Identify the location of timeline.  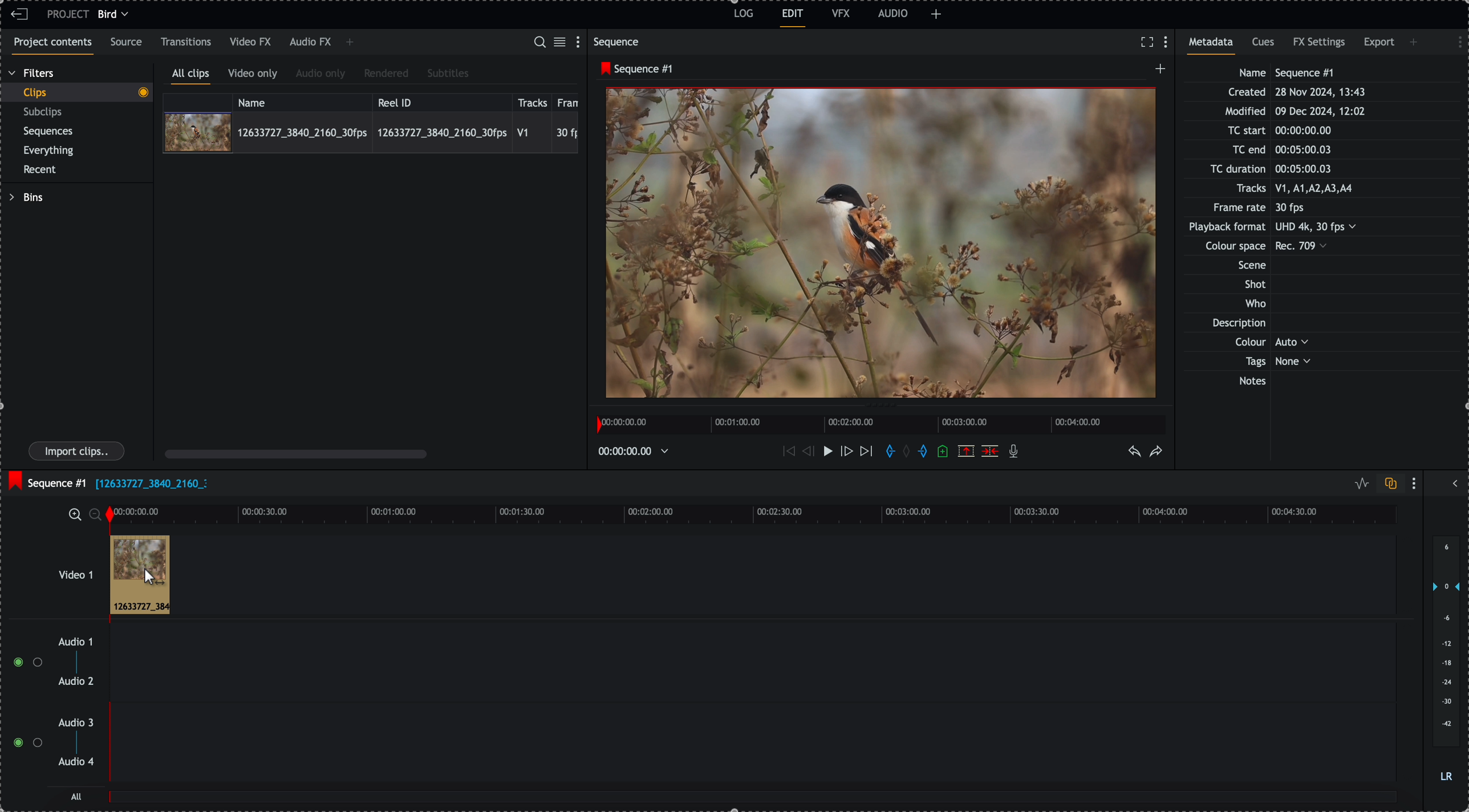
(637, 450).